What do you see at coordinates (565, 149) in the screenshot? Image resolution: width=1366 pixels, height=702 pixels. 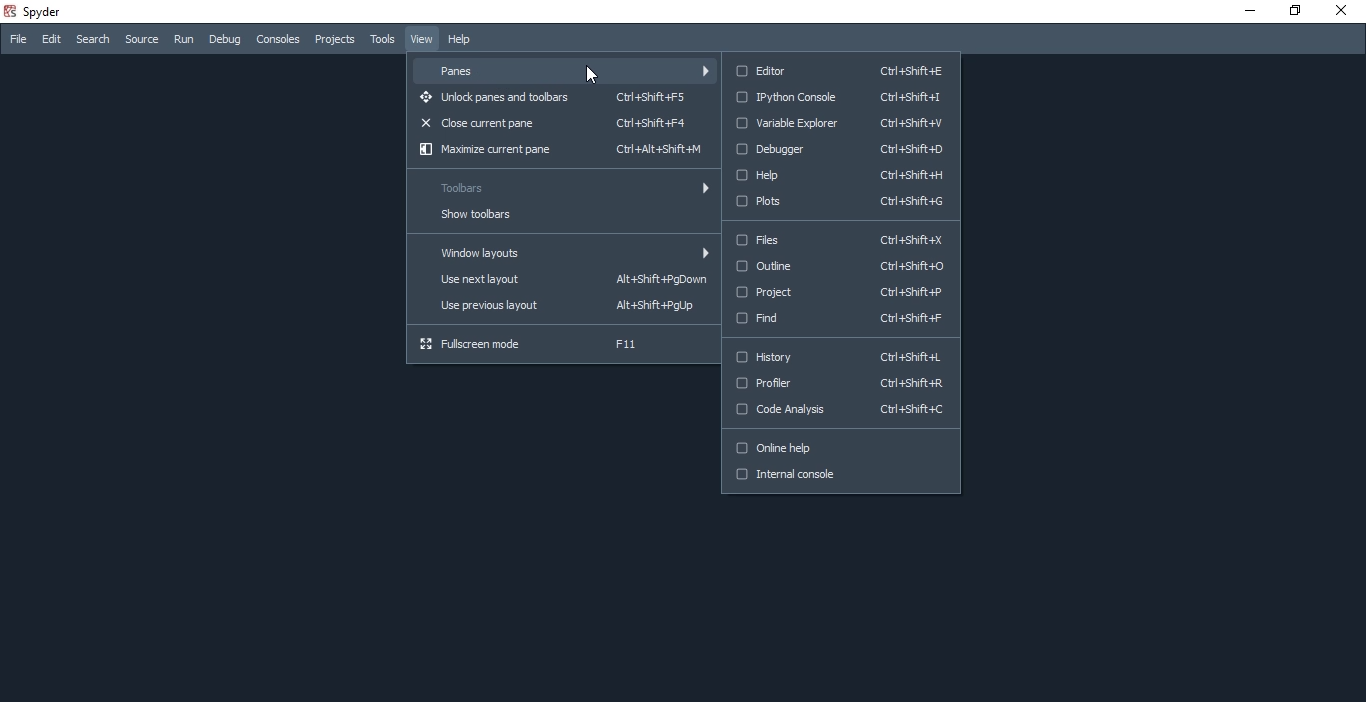 I see `Maximize current pane` at bounding box center [565, 149].